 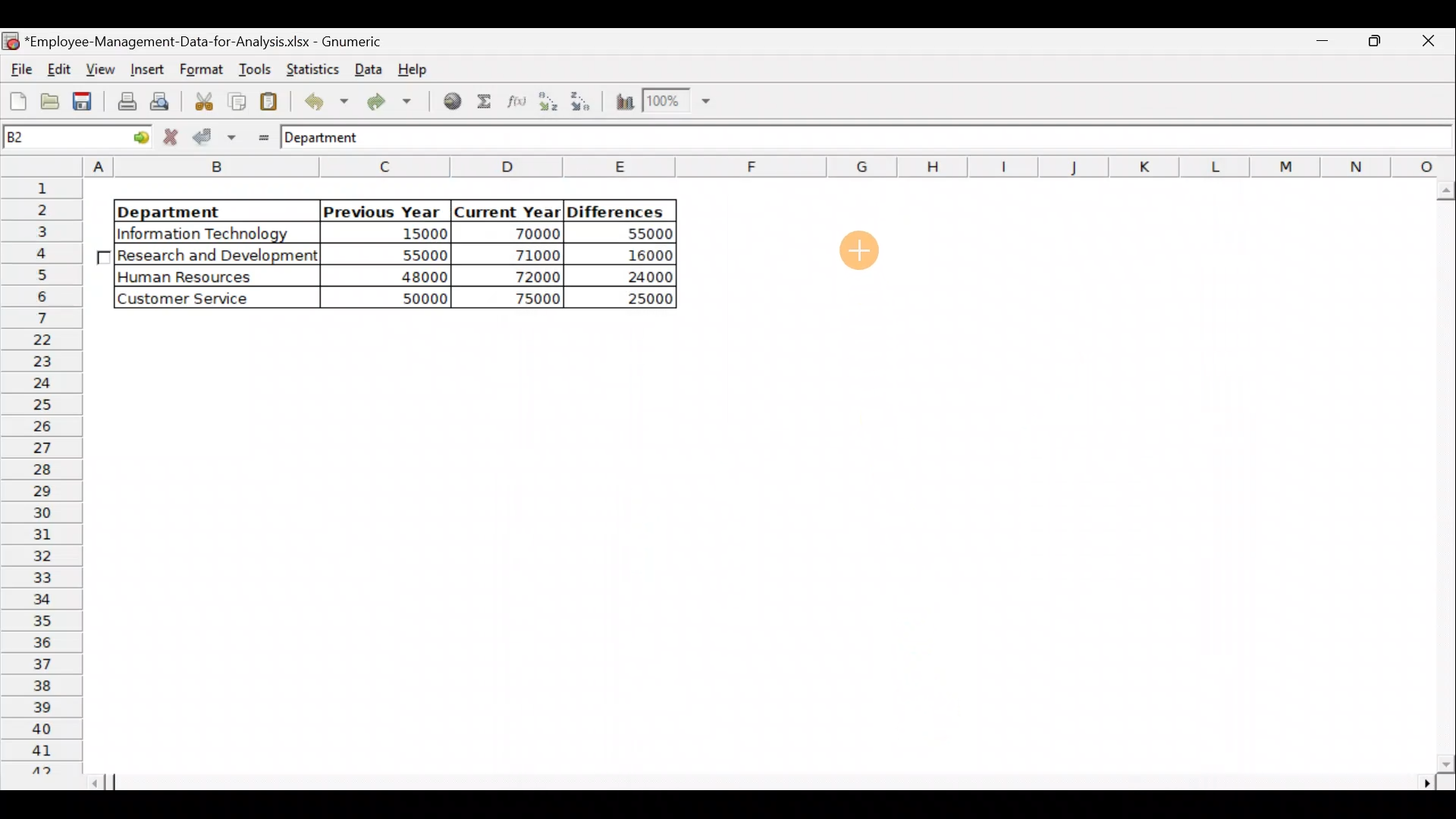 What do you see at coordinates (523, 233) in the screenshot?
I see `70000` at bounding box center [523, 233].